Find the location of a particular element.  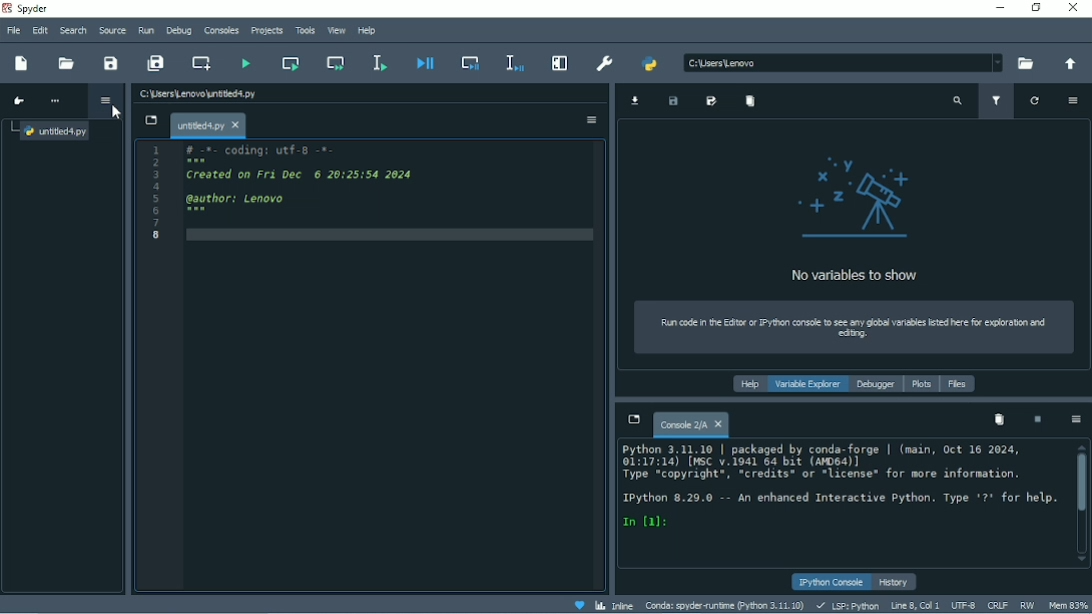

History is located at coordinates (894, 582).